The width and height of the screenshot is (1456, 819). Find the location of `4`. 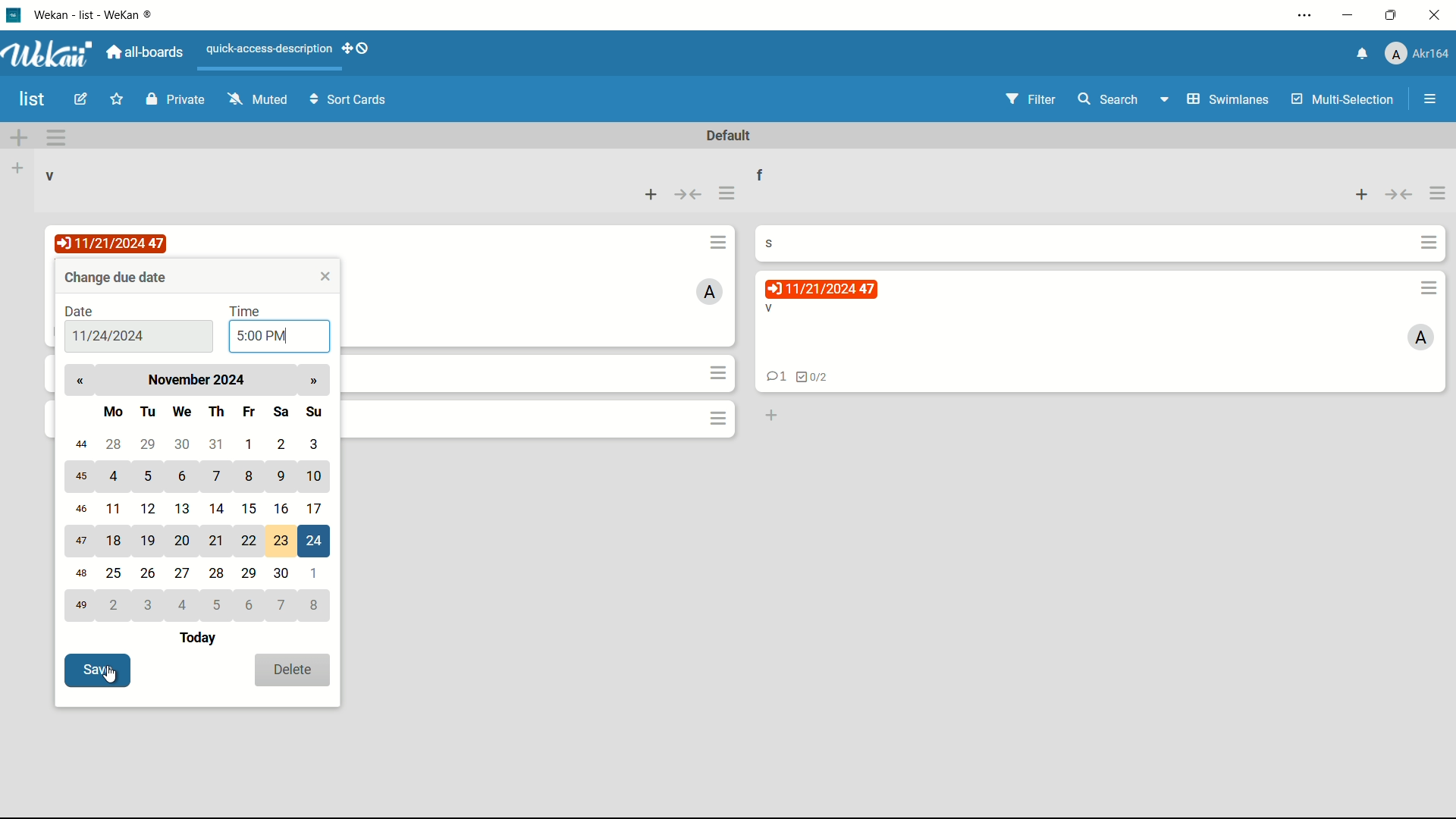

4 is located at coordinates (116, 475).